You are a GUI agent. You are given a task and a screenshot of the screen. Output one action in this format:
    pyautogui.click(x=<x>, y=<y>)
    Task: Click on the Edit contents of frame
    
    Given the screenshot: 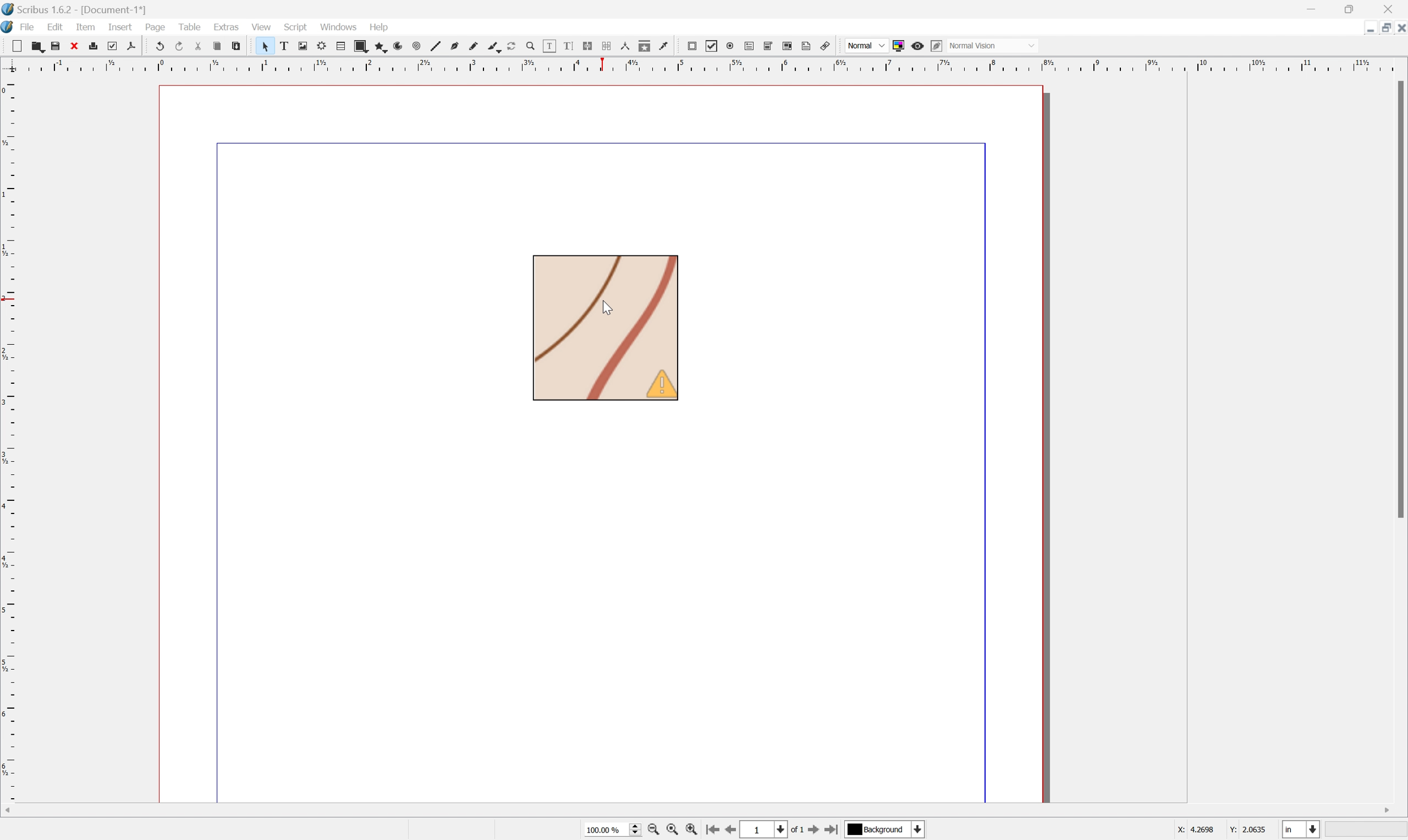 What is the action you would take?
    pyautogui.click(x=550, y=45)
    